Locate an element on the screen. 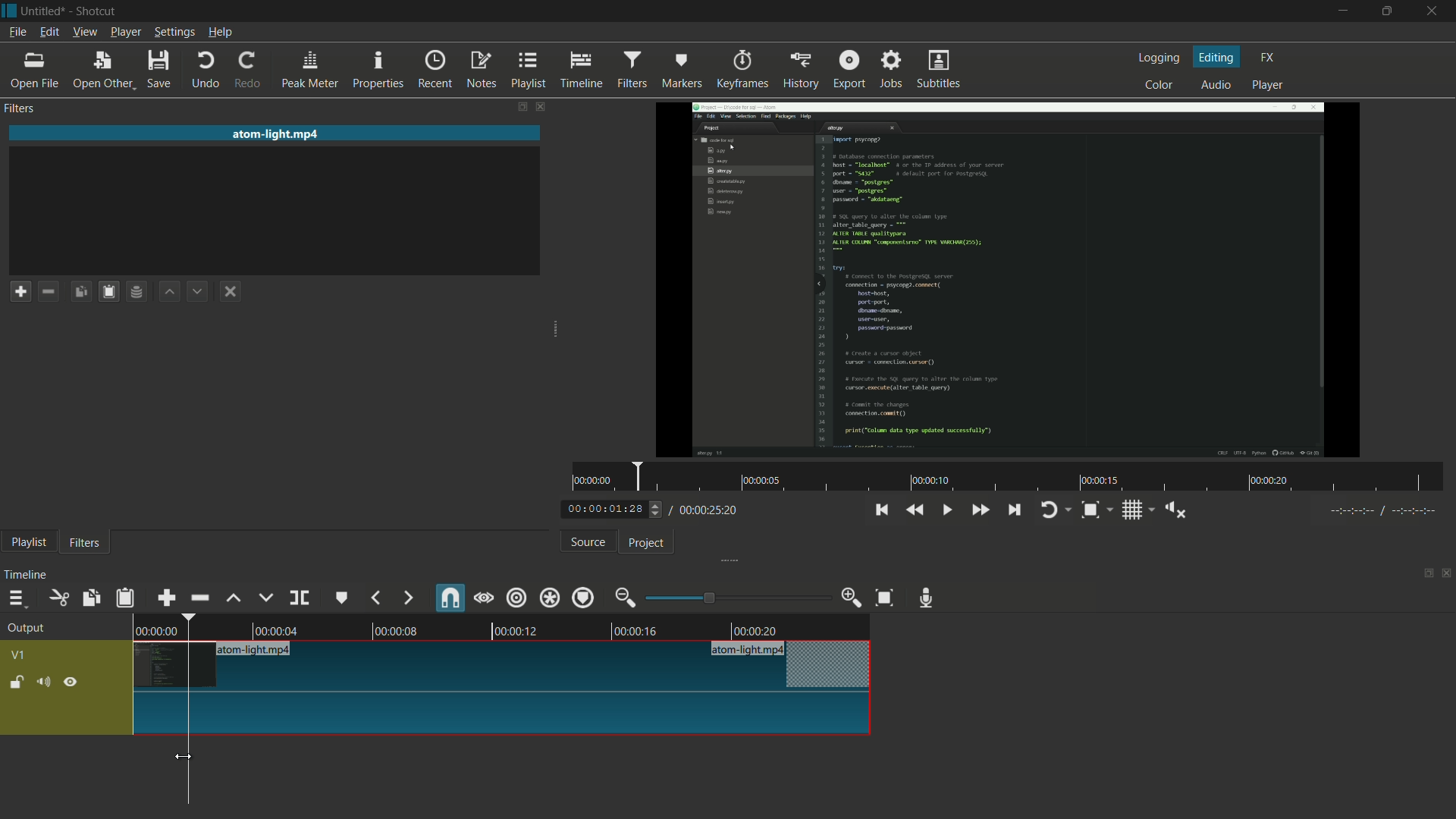  fx is located at coordinates (1267, 58).